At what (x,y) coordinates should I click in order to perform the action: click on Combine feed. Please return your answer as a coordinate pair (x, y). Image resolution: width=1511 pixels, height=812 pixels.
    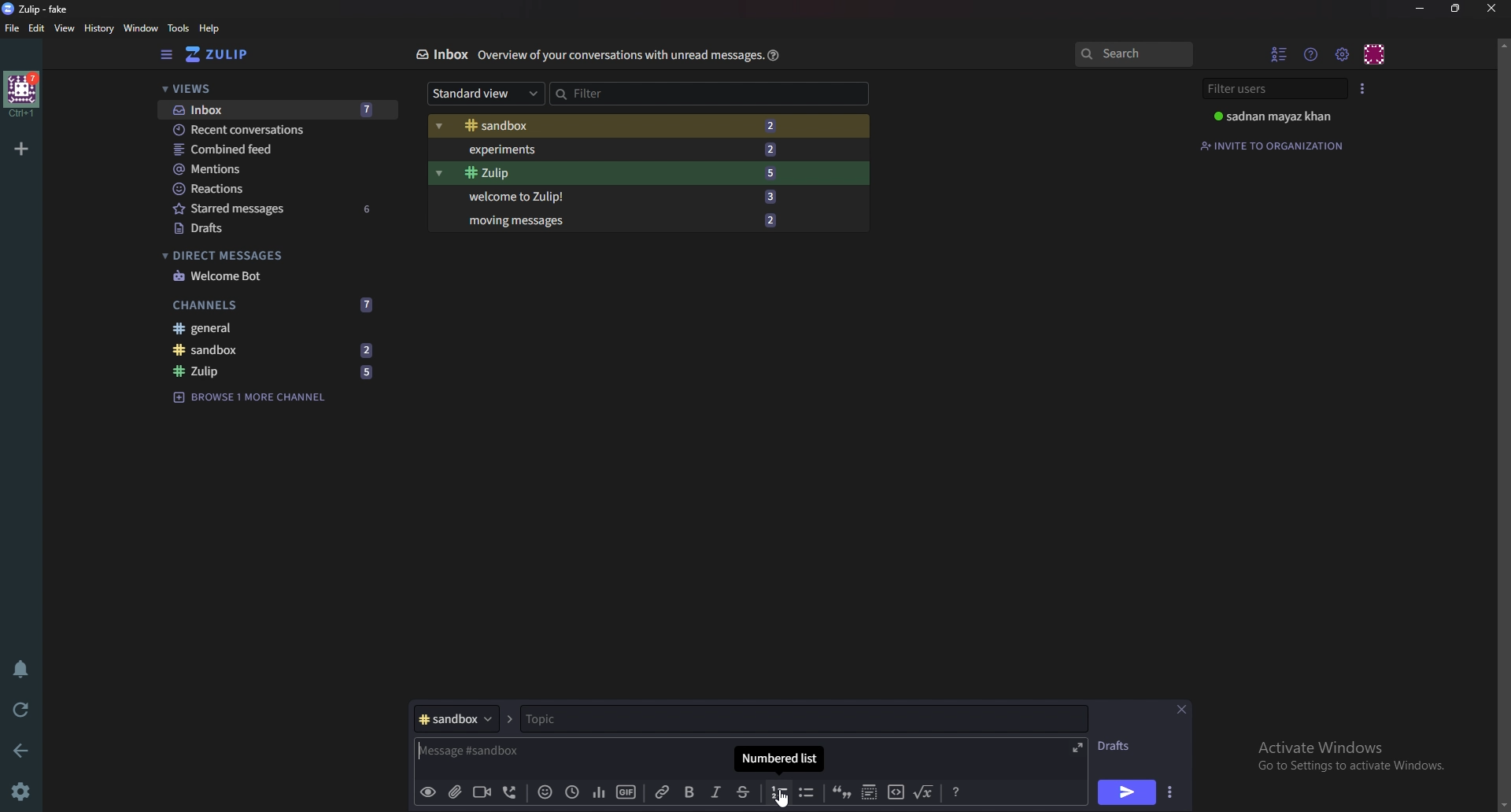
    Looking at the image, I should click on (279, 149).